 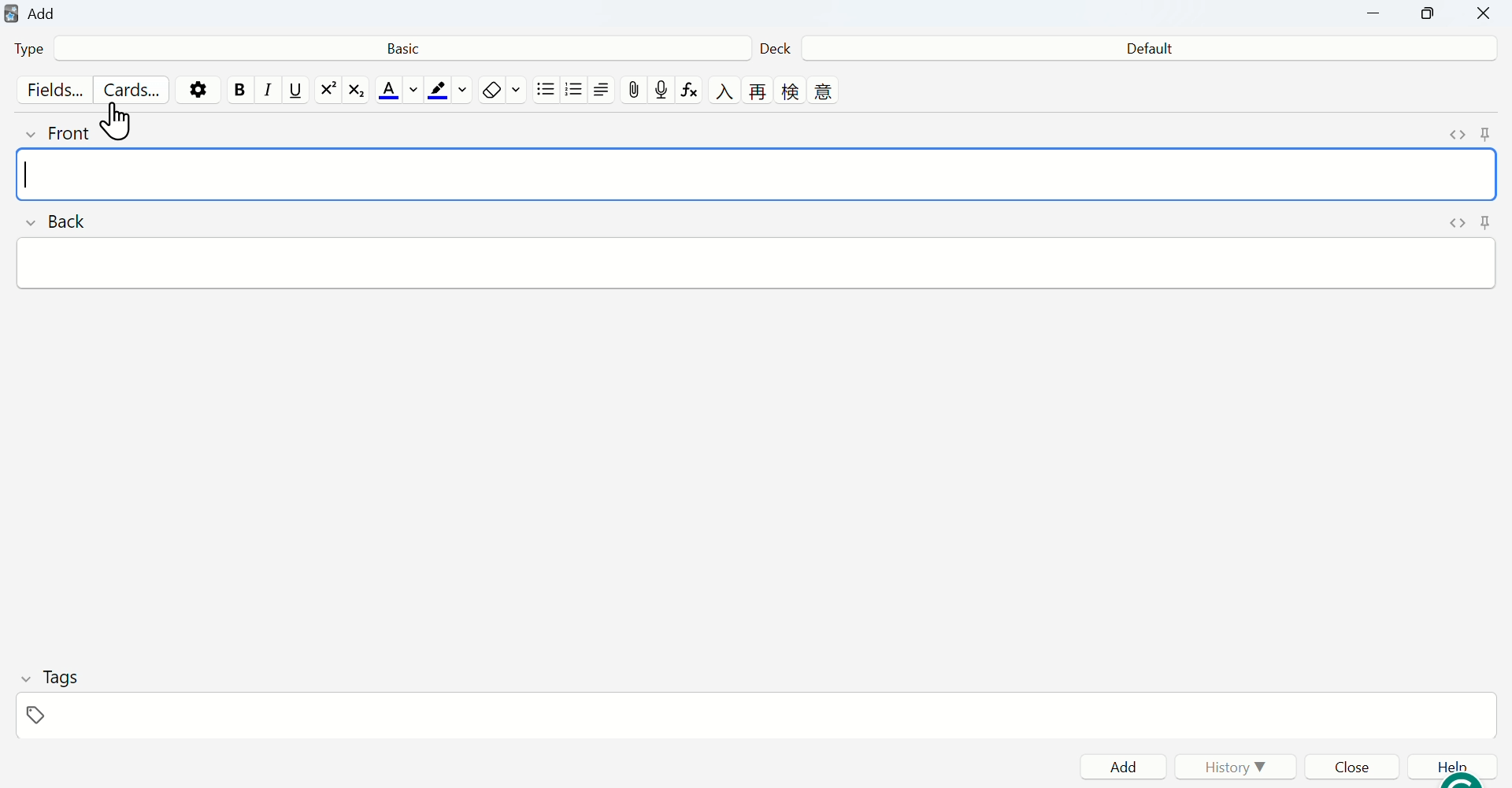 I want to click on options, so click(x=197, y=90).